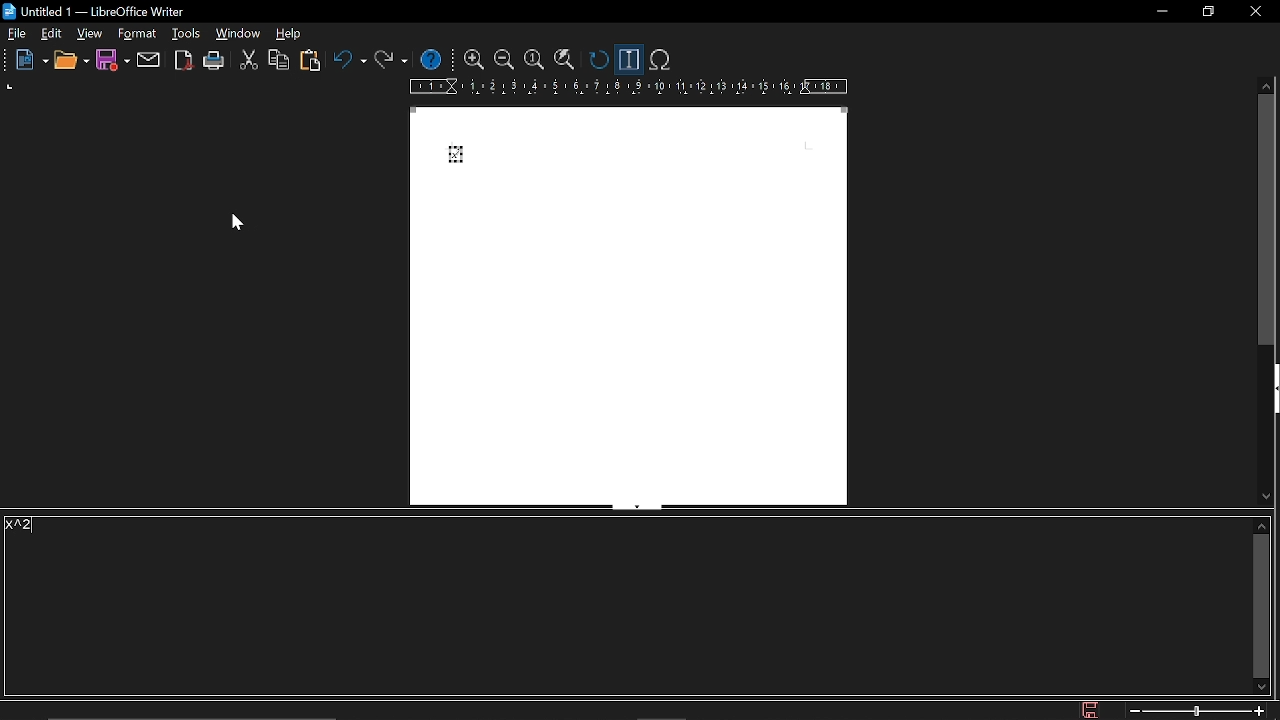 The image size is (1280, 720). What do you see at coordinates (350, 61) in the screenshot?
I see `undo` at bounding box center [350, 61].